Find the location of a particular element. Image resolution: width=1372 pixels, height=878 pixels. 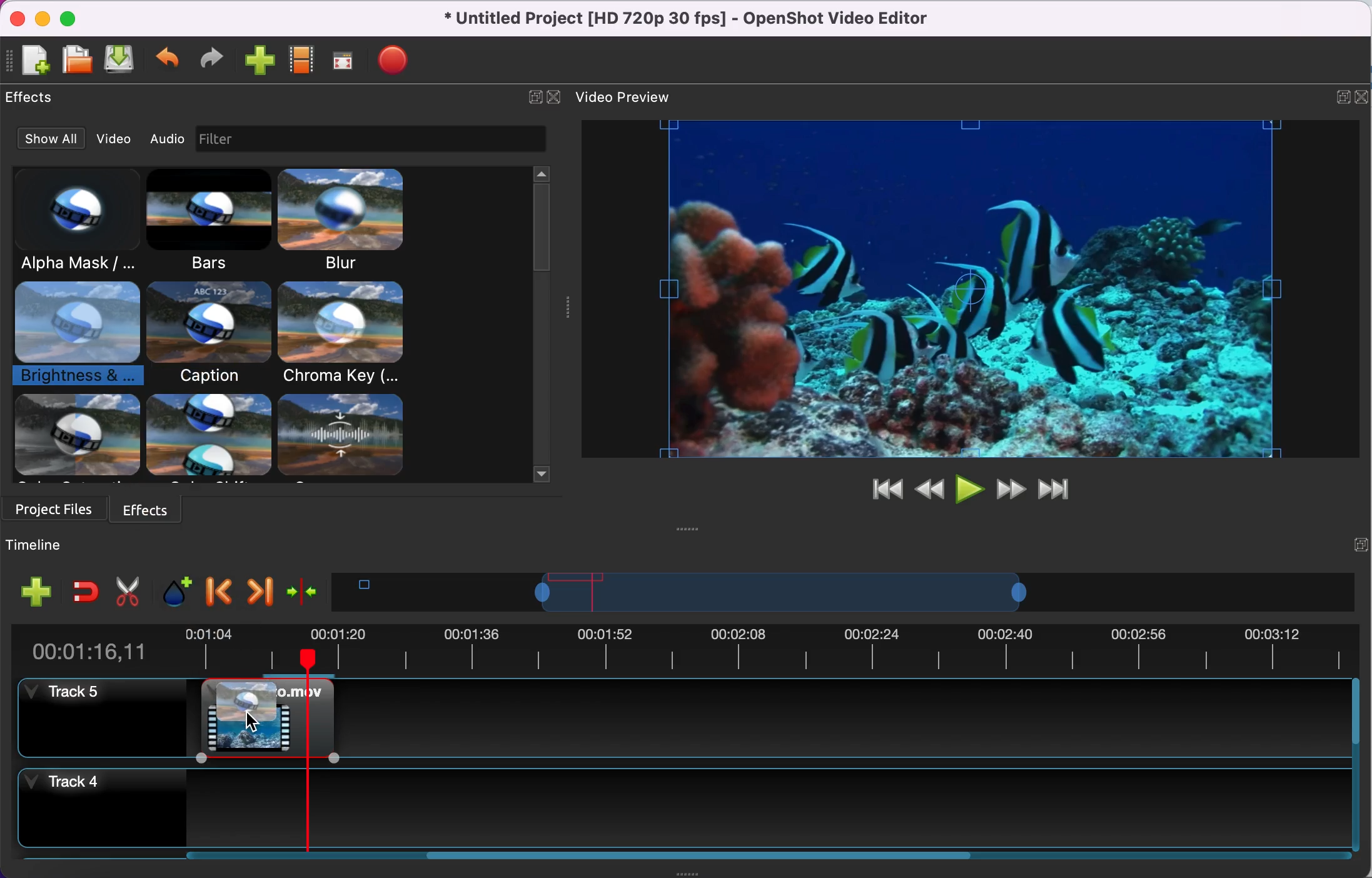

add marker is located at coordinates (171, 590).